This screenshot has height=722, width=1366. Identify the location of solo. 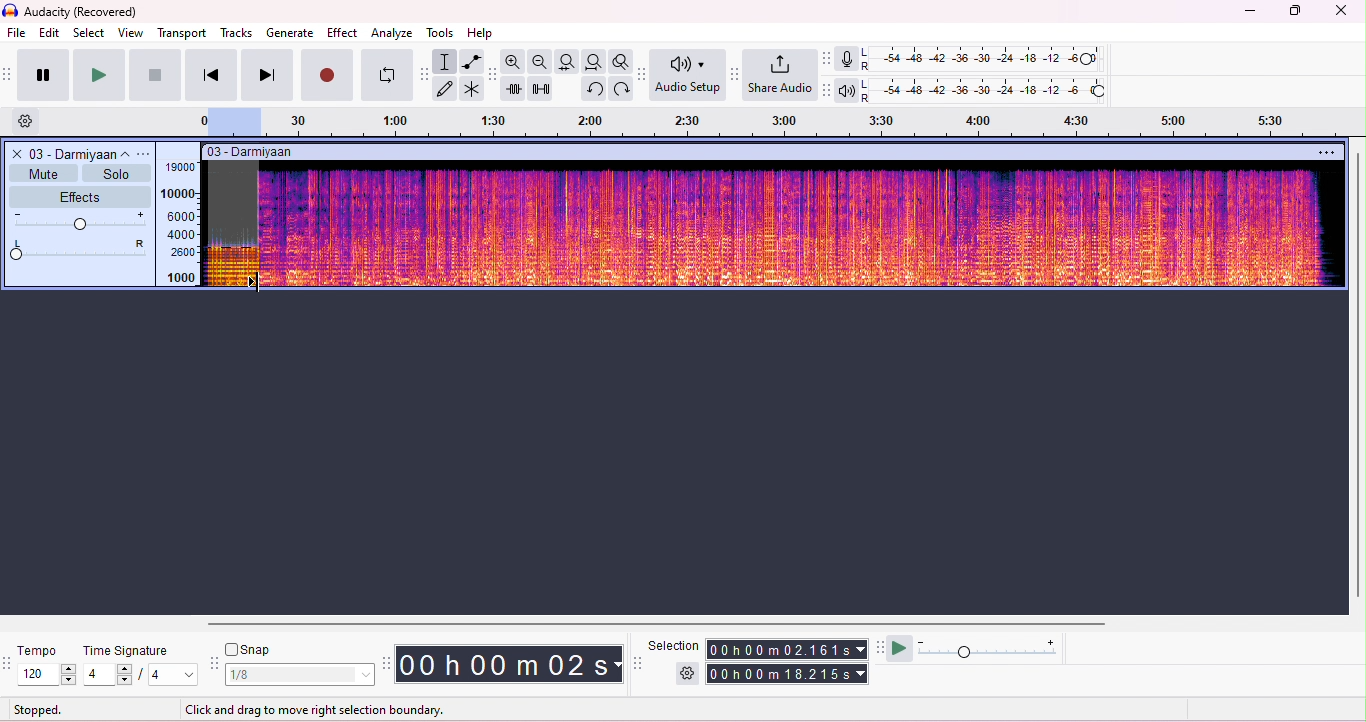
(116, 173).